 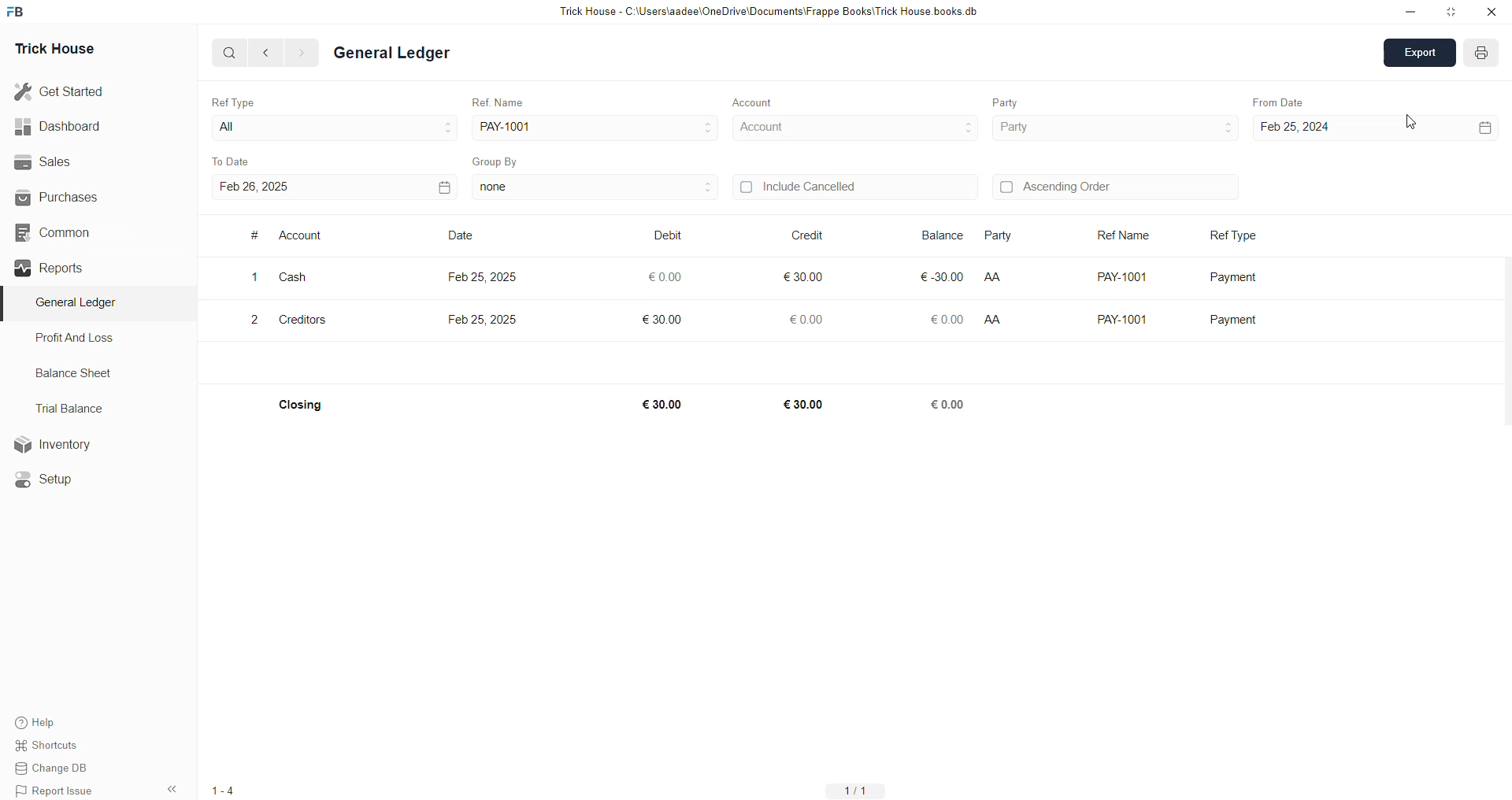 I want to click on AA, so click(x=995, y=272).